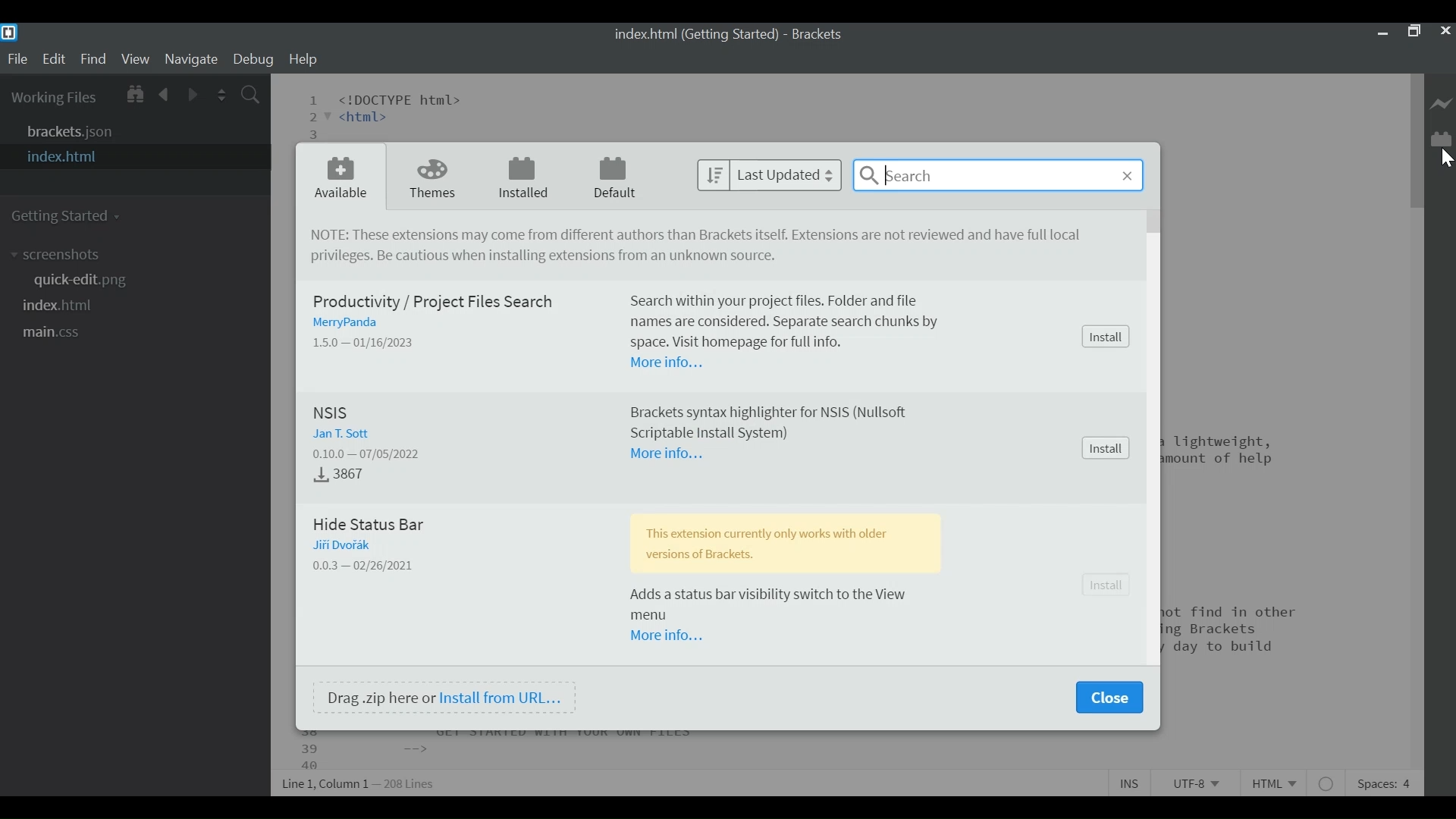 The height and width of the screenshot is (819, 1456). I want to click on Find, so click(93, 60).